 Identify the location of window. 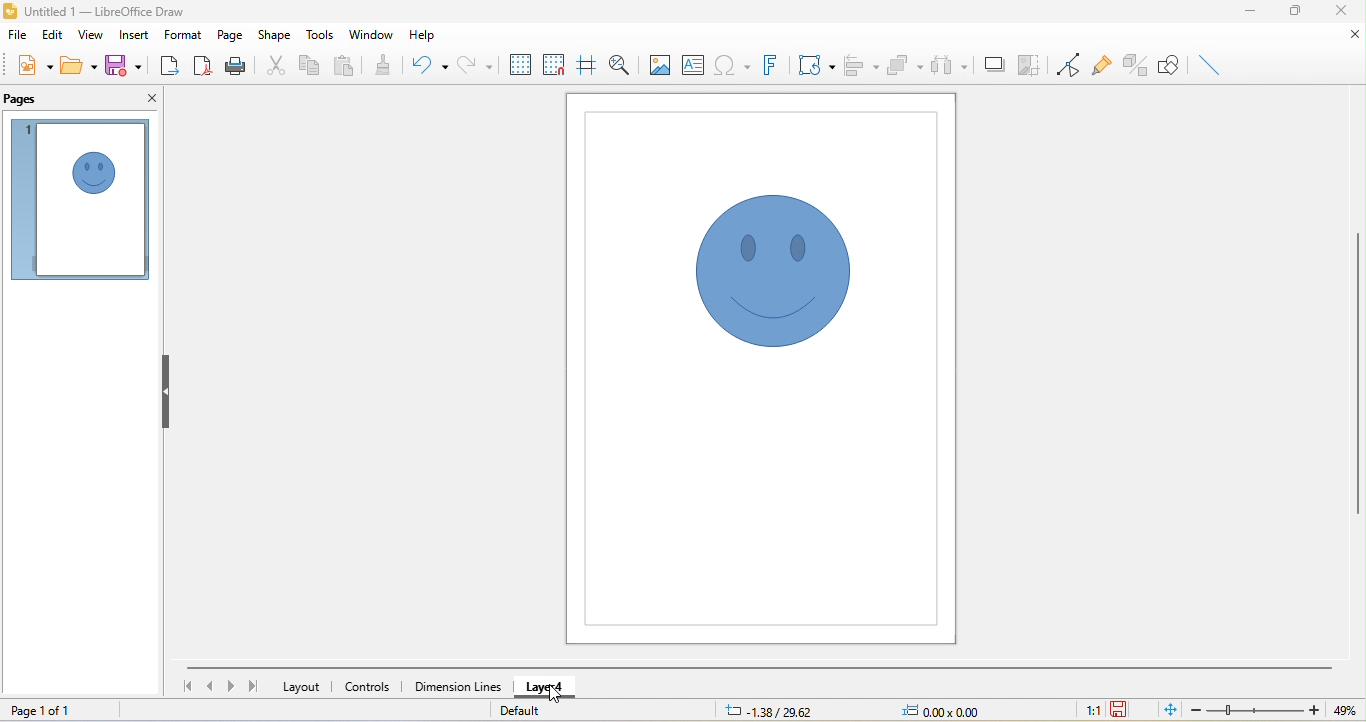
(373, 33).